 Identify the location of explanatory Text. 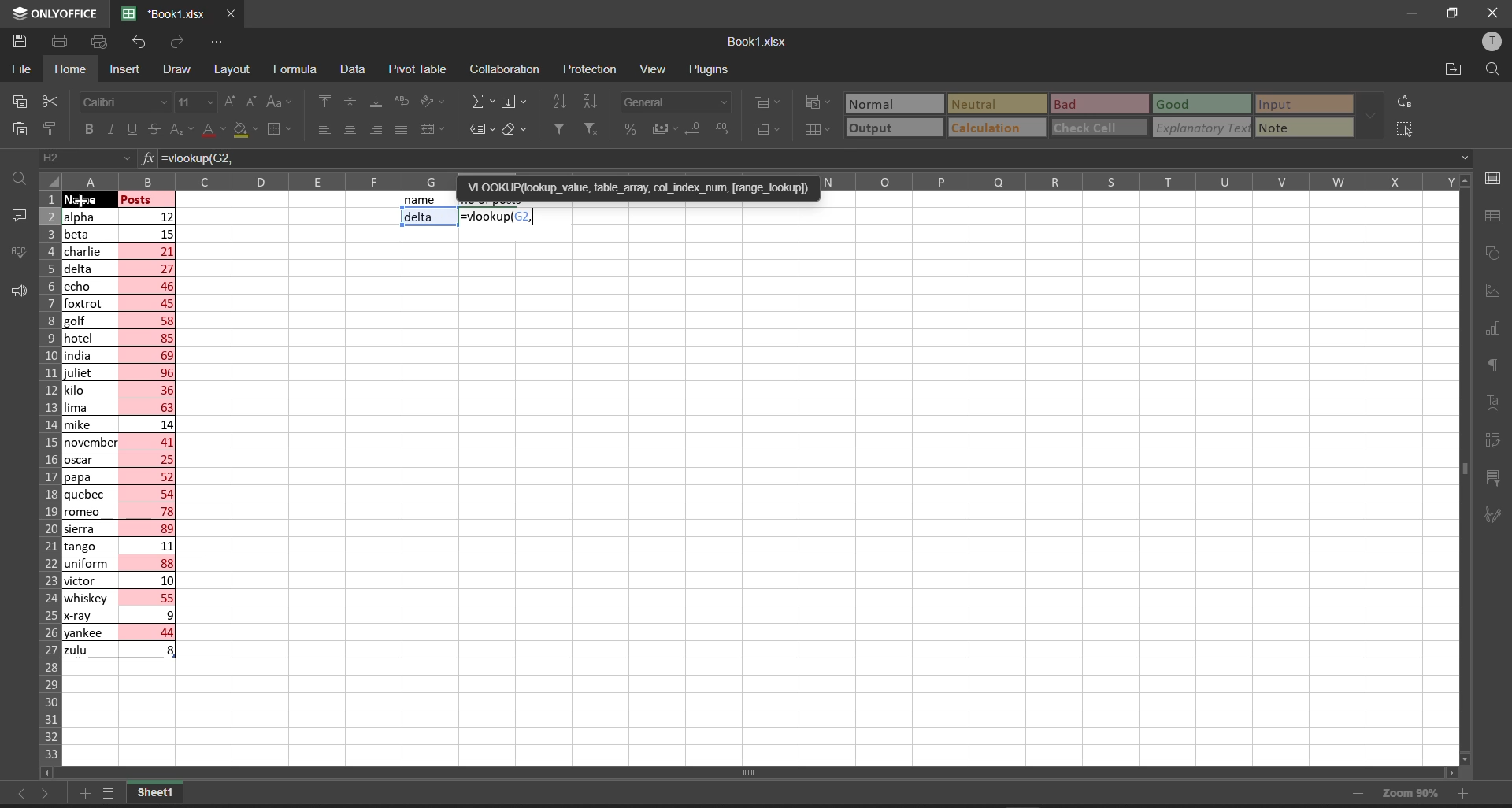
(1200, 128).